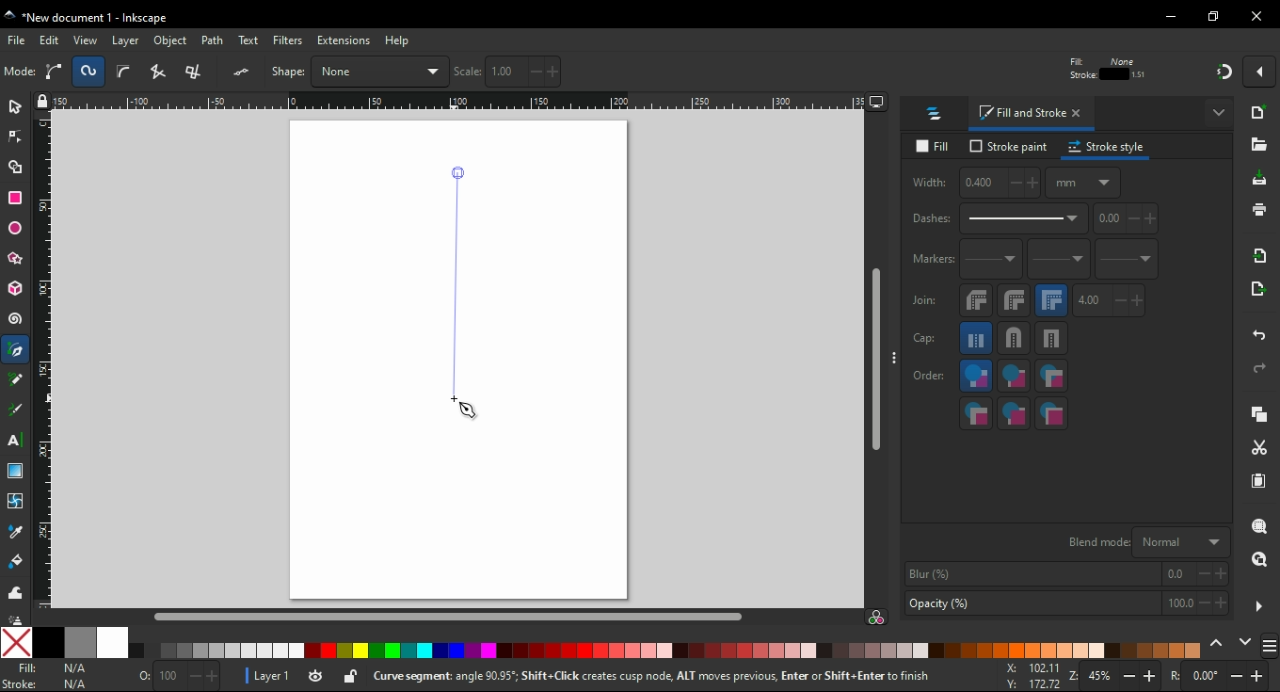 The width and height of the screenshot is (1280, 692). Describe the element at coordinates (522, 72) in the screenshot. I see `horizontal coordinates` at that location.